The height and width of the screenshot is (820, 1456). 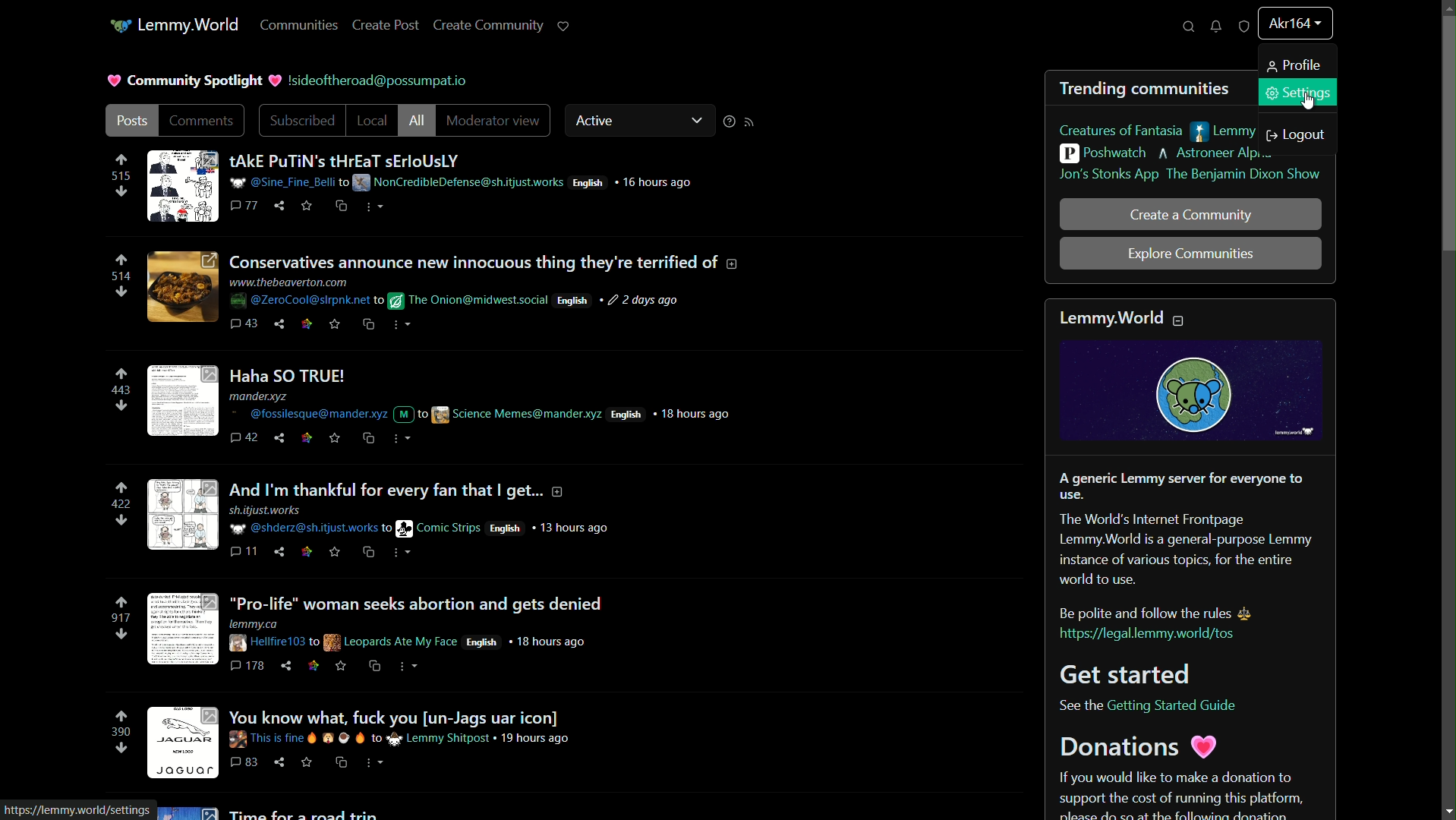 I want to click on cursor, so click(x=1319, y=39).